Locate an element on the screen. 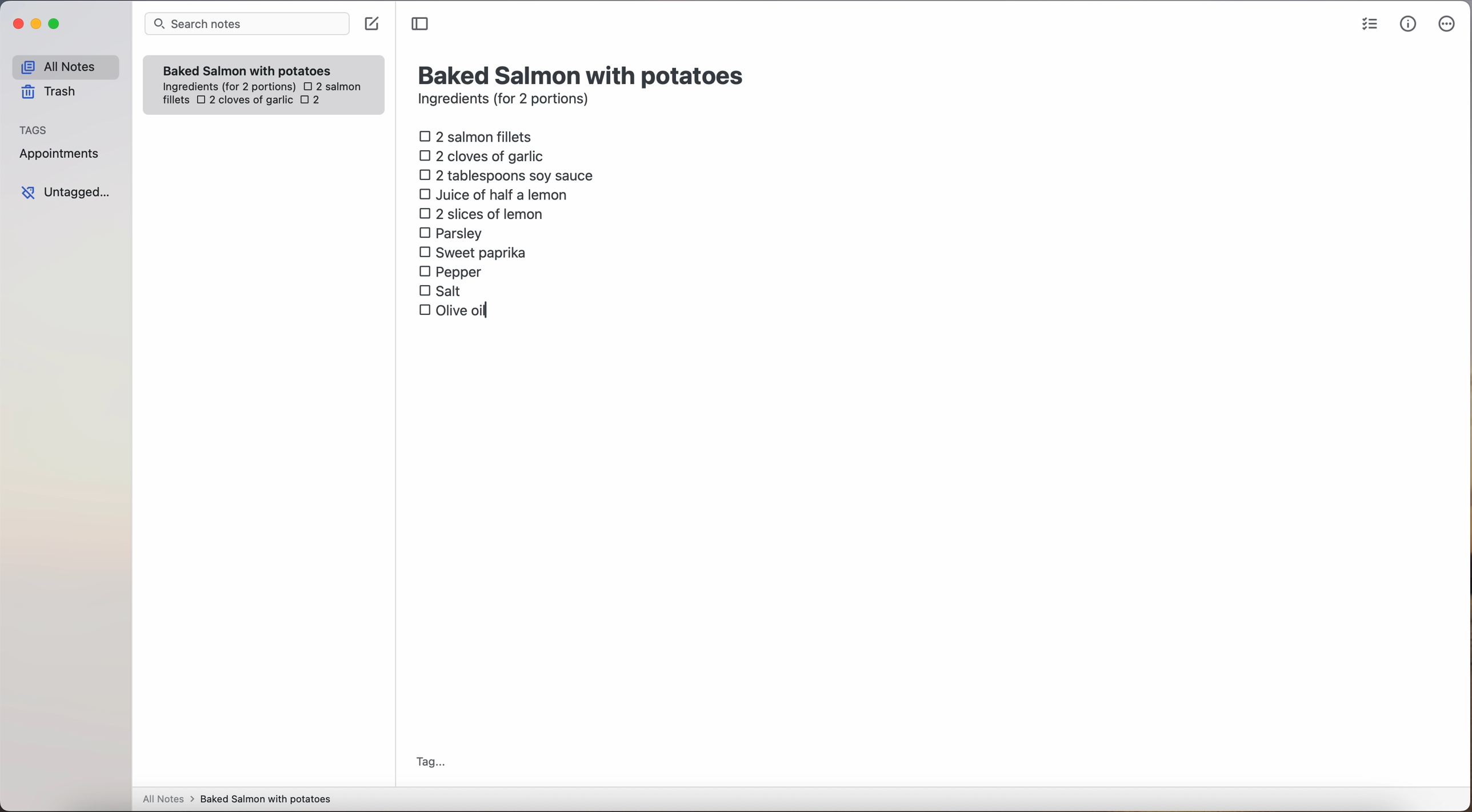  2 slices of lemon is located at coordinates (482, 214).